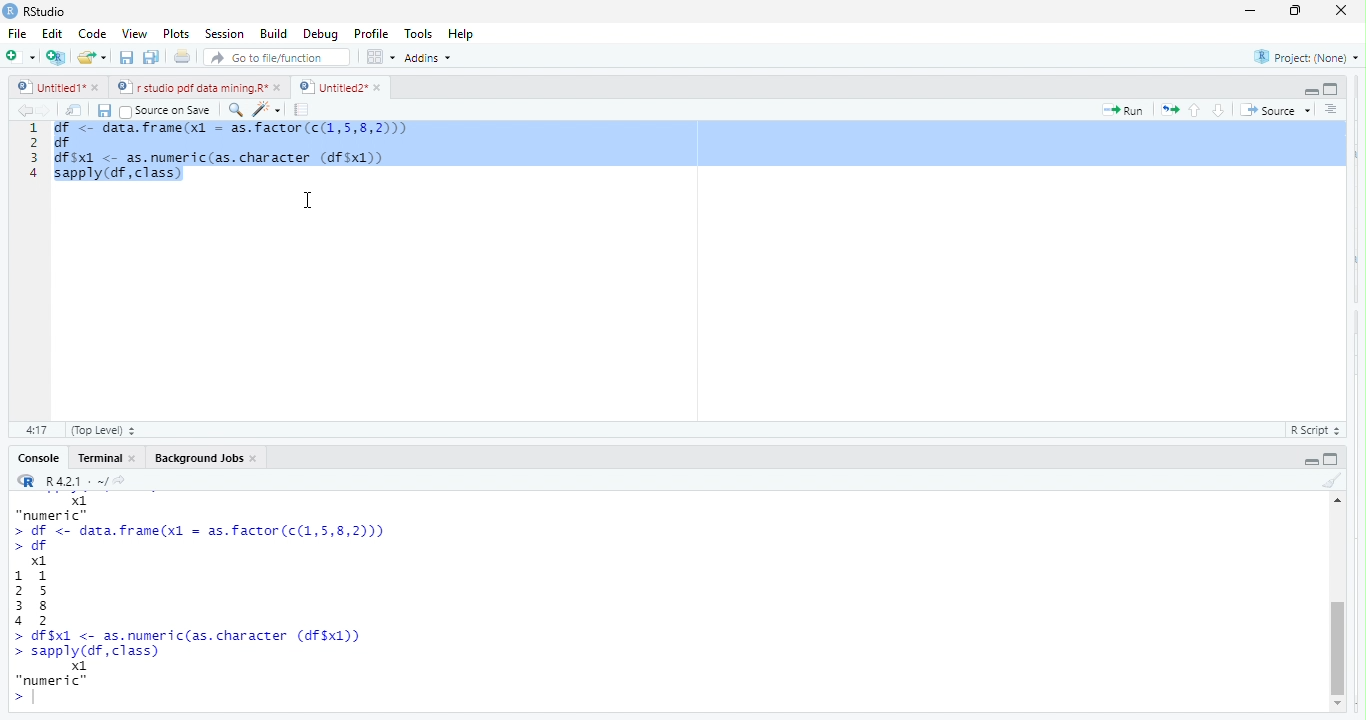  Describe the element at coordinates (1332, 111) in the screenshot. I see `show document outline` at that location.